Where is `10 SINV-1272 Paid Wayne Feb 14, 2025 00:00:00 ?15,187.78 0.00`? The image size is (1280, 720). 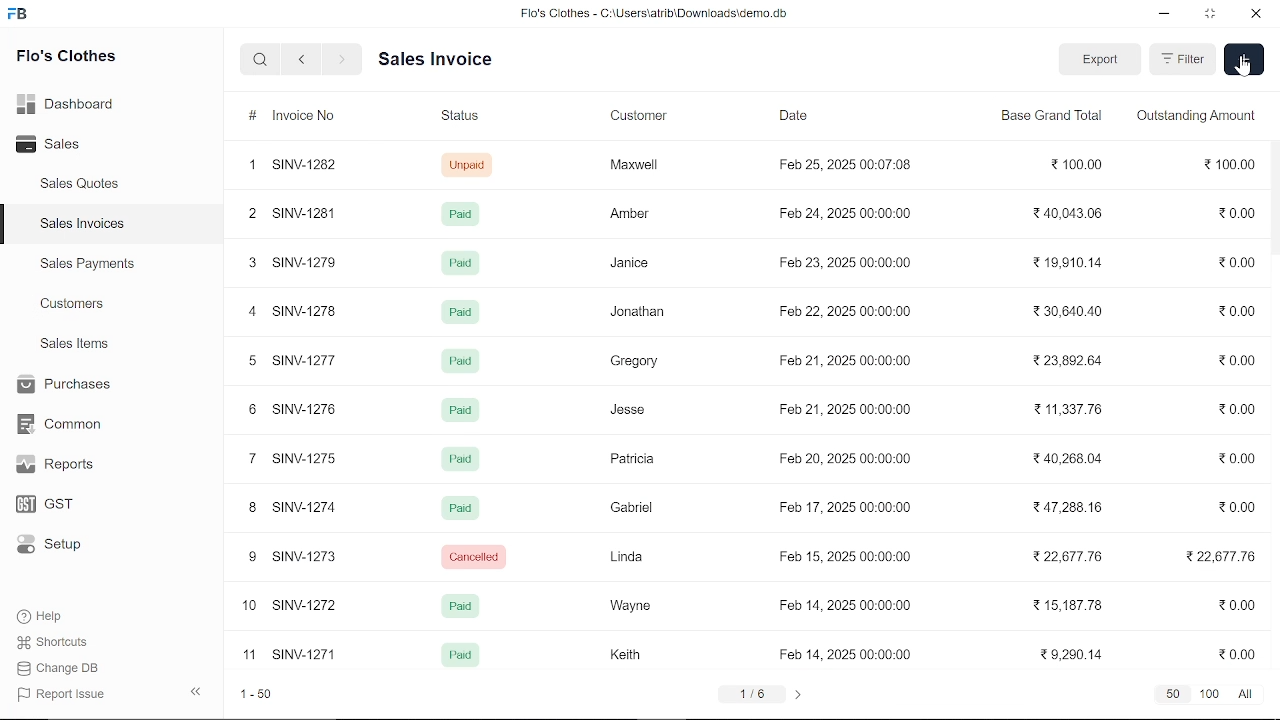
10 SINV-1272 Paid Wayne Feb 14, 2025 00:00:00 ?15,187.78 0.00 is located at coordinates (757, 605).